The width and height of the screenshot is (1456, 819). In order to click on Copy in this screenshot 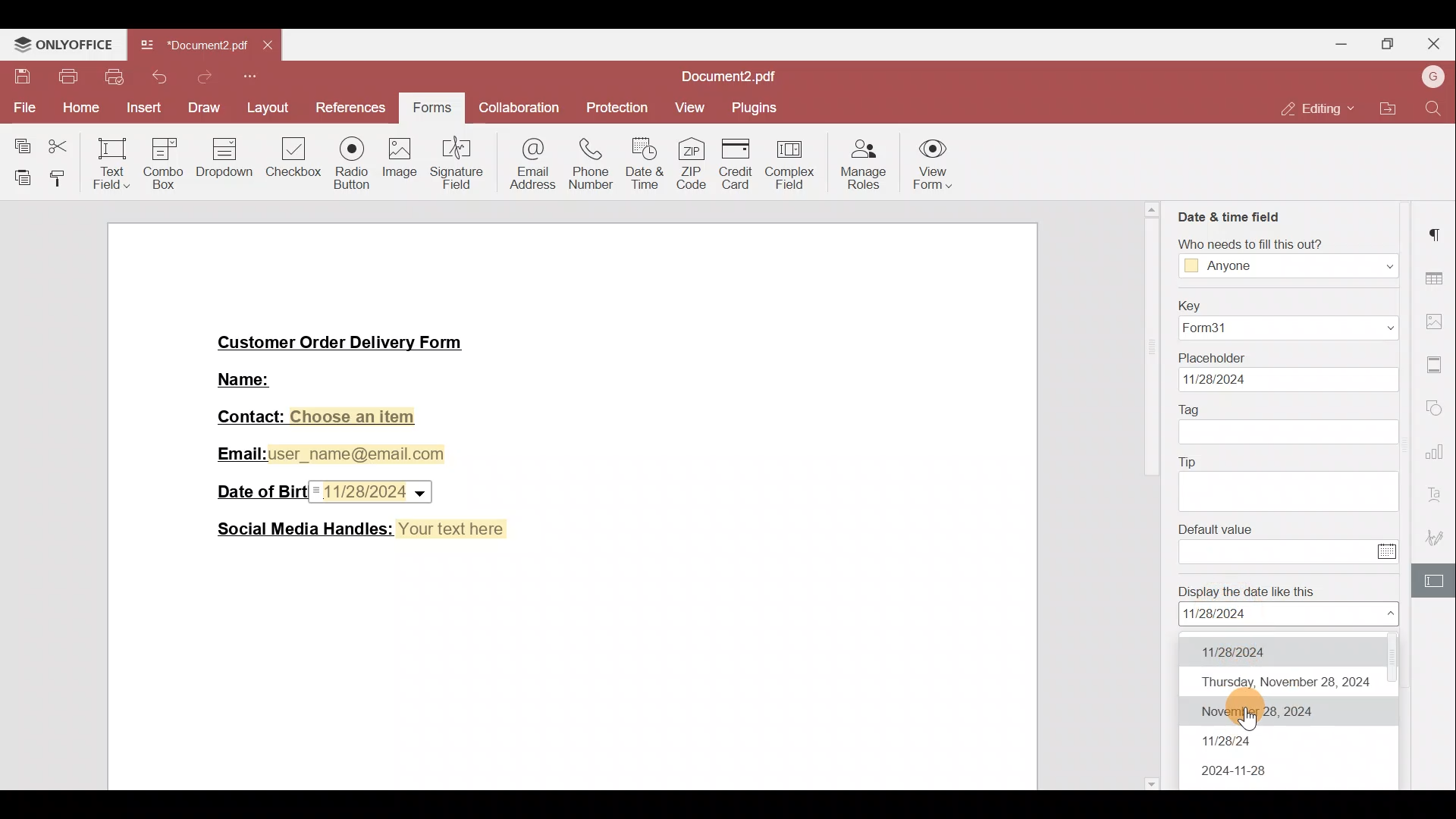, I will do `click(19, 143)`.